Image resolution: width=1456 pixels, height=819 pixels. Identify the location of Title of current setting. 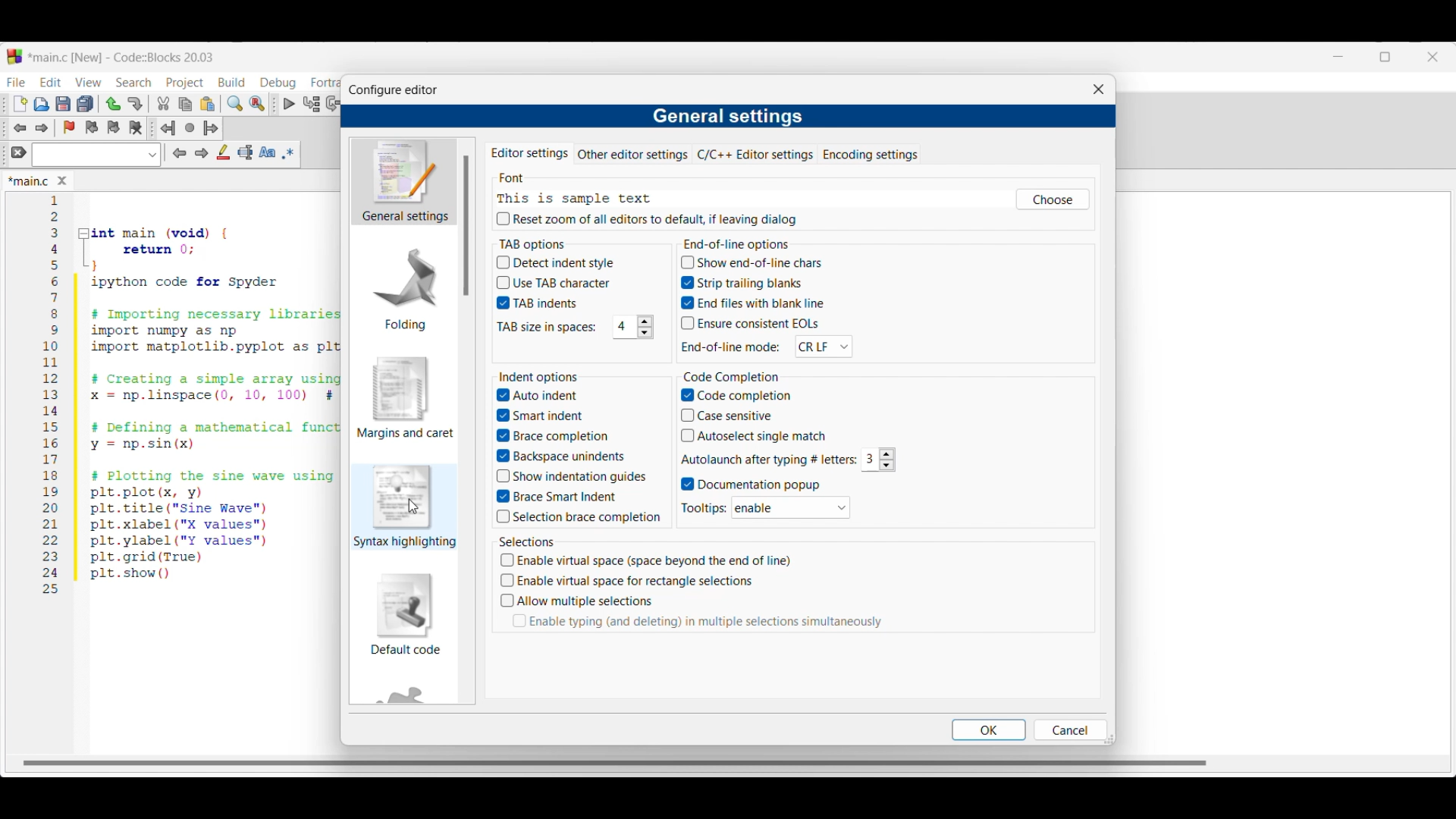
(729, 117).